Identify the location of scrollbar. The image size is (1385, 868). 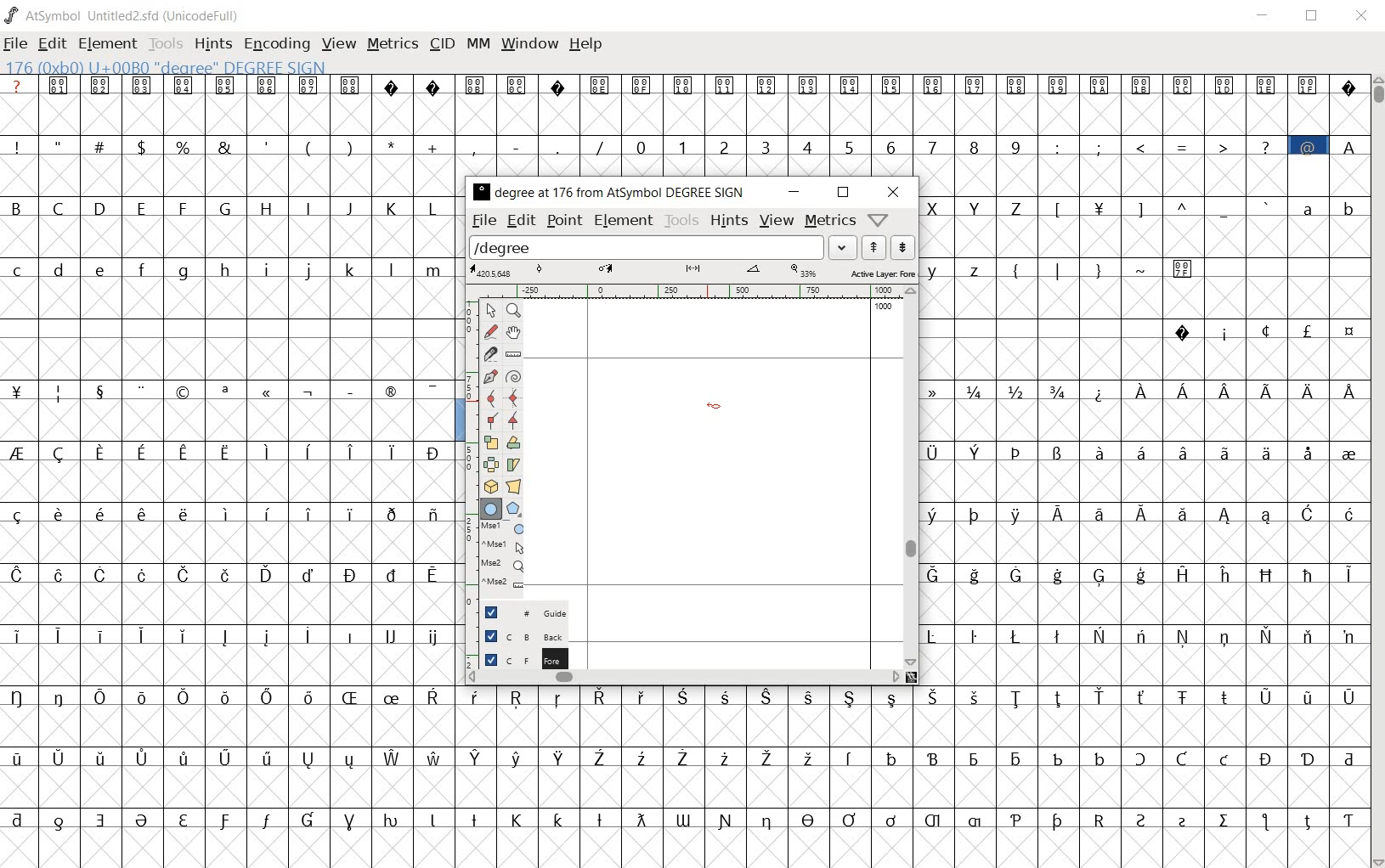
(1377, 470).